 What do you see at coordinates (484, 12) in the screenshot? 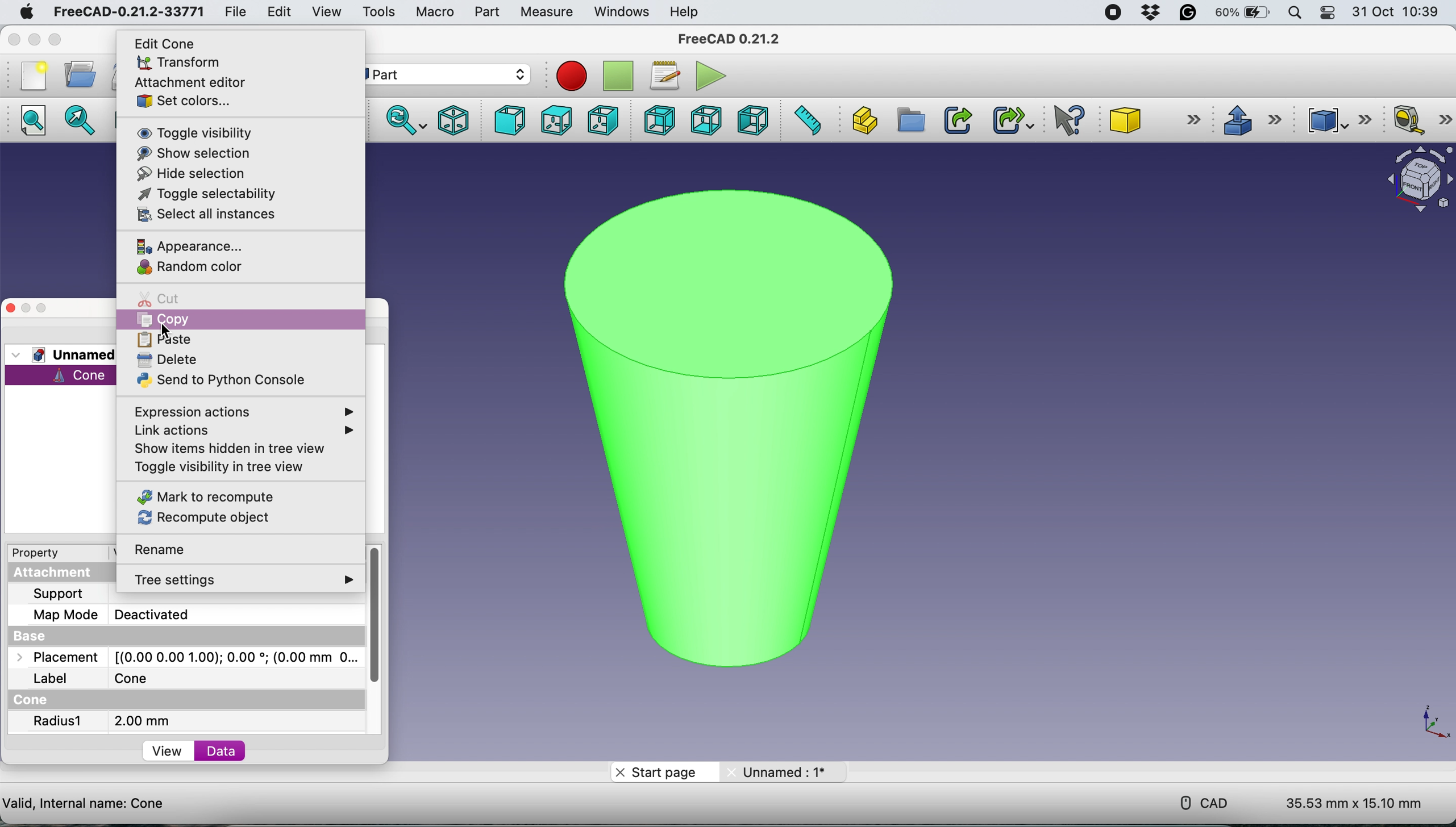
I see `part` at bounding box center [484, 12].